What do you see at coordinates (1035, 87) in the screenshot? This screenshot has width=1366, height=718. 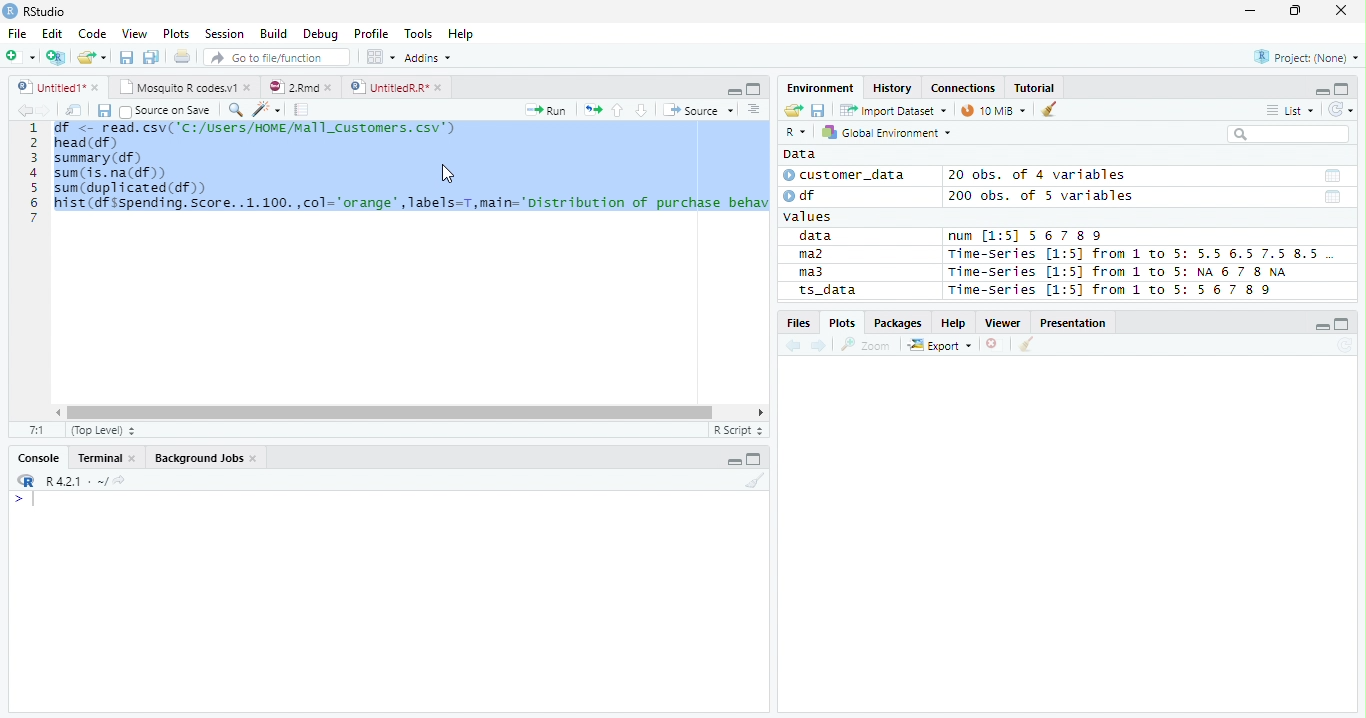 I see `Tutorial` at bounding box center [1035, 87].